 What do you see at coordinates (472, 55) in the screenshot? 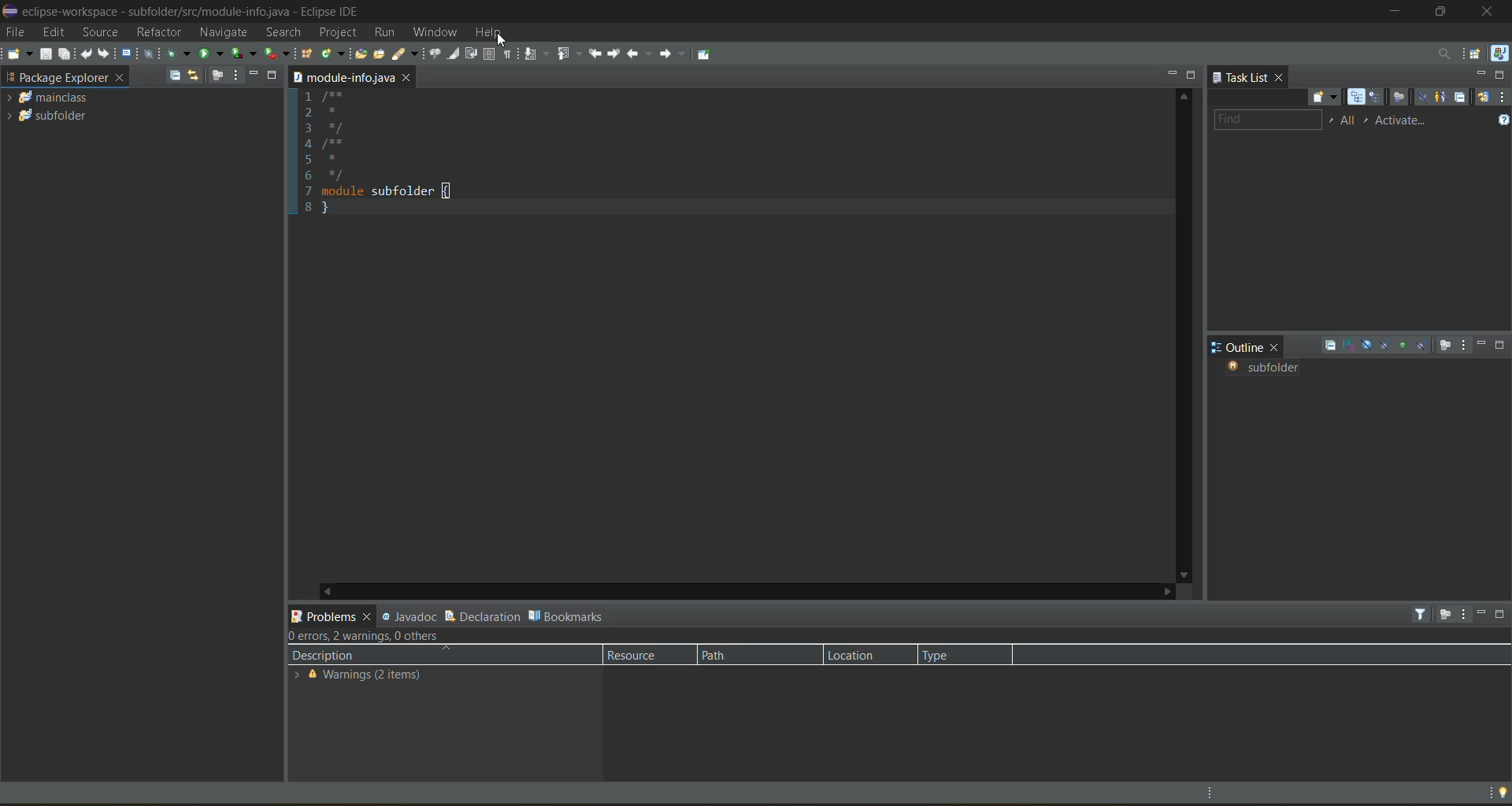
I see `toggle word wrap` at bounding box center [472, 55].